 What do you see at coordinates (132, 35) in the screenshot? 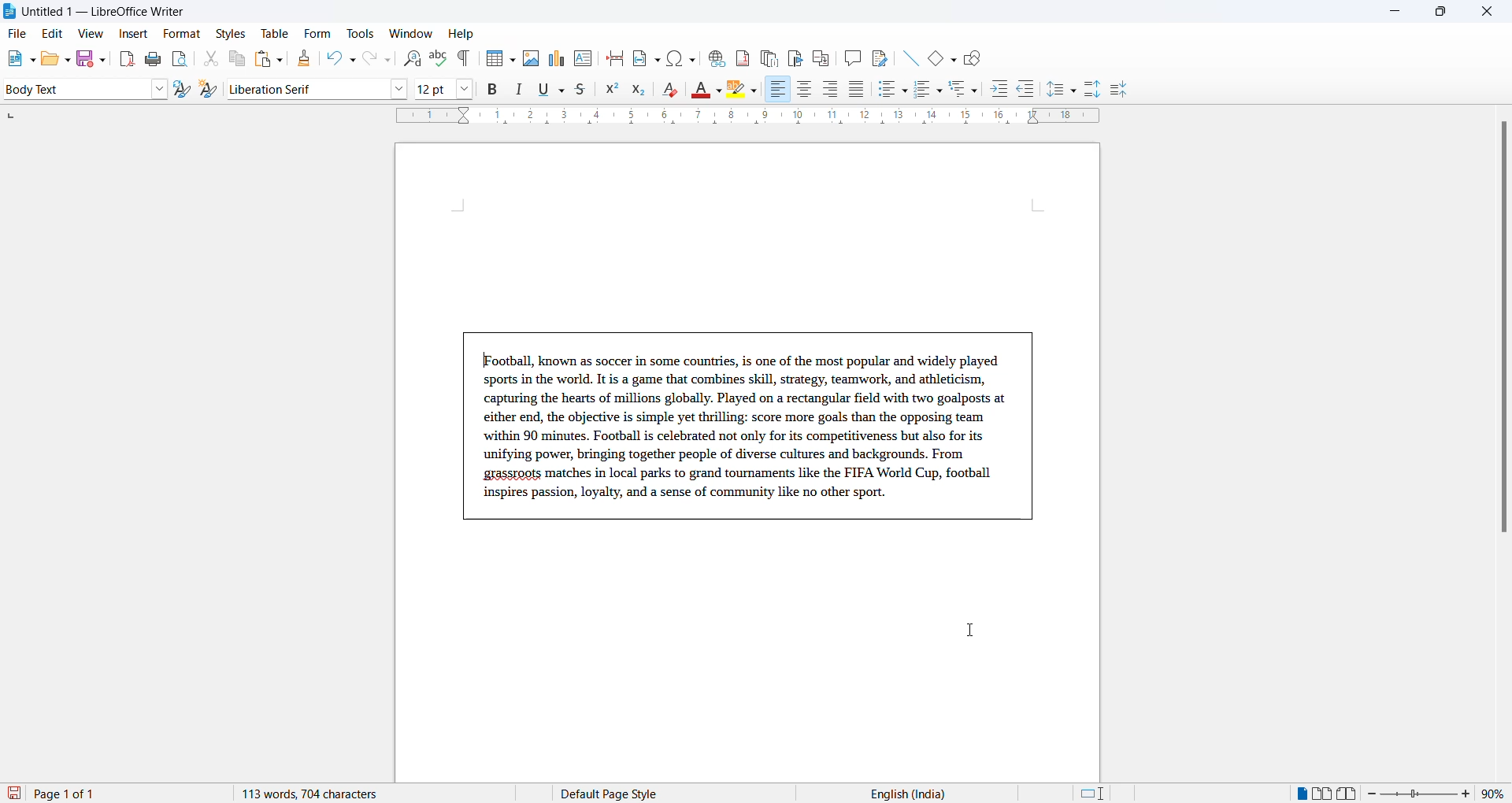
I see `insert` at bounding box center [132, 35].